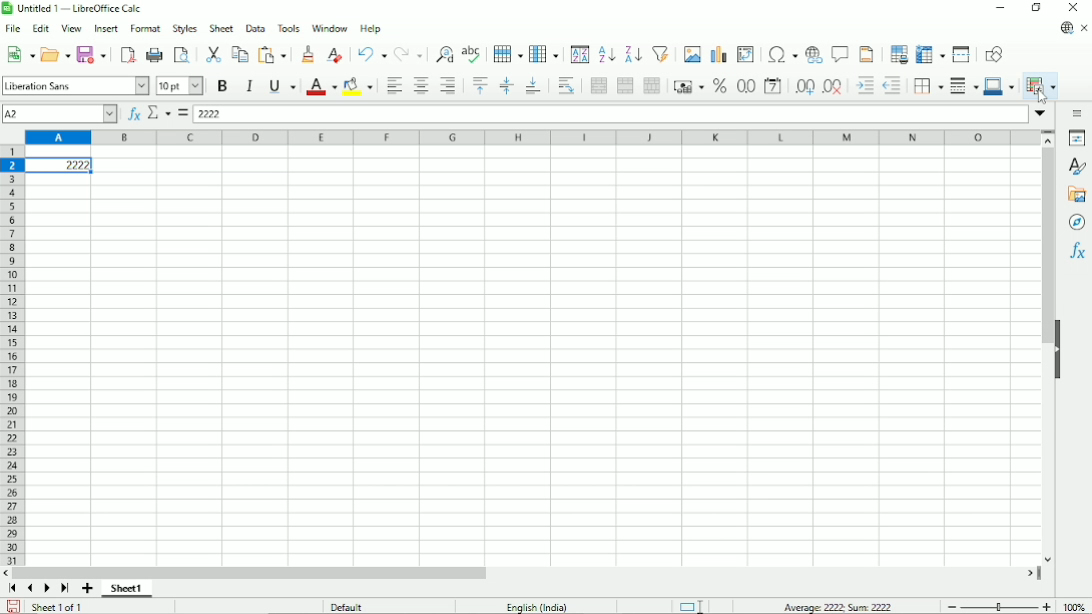 The width and height of the screenshot is (1092, 614). I want to click on 100%, so click(1074, 606).